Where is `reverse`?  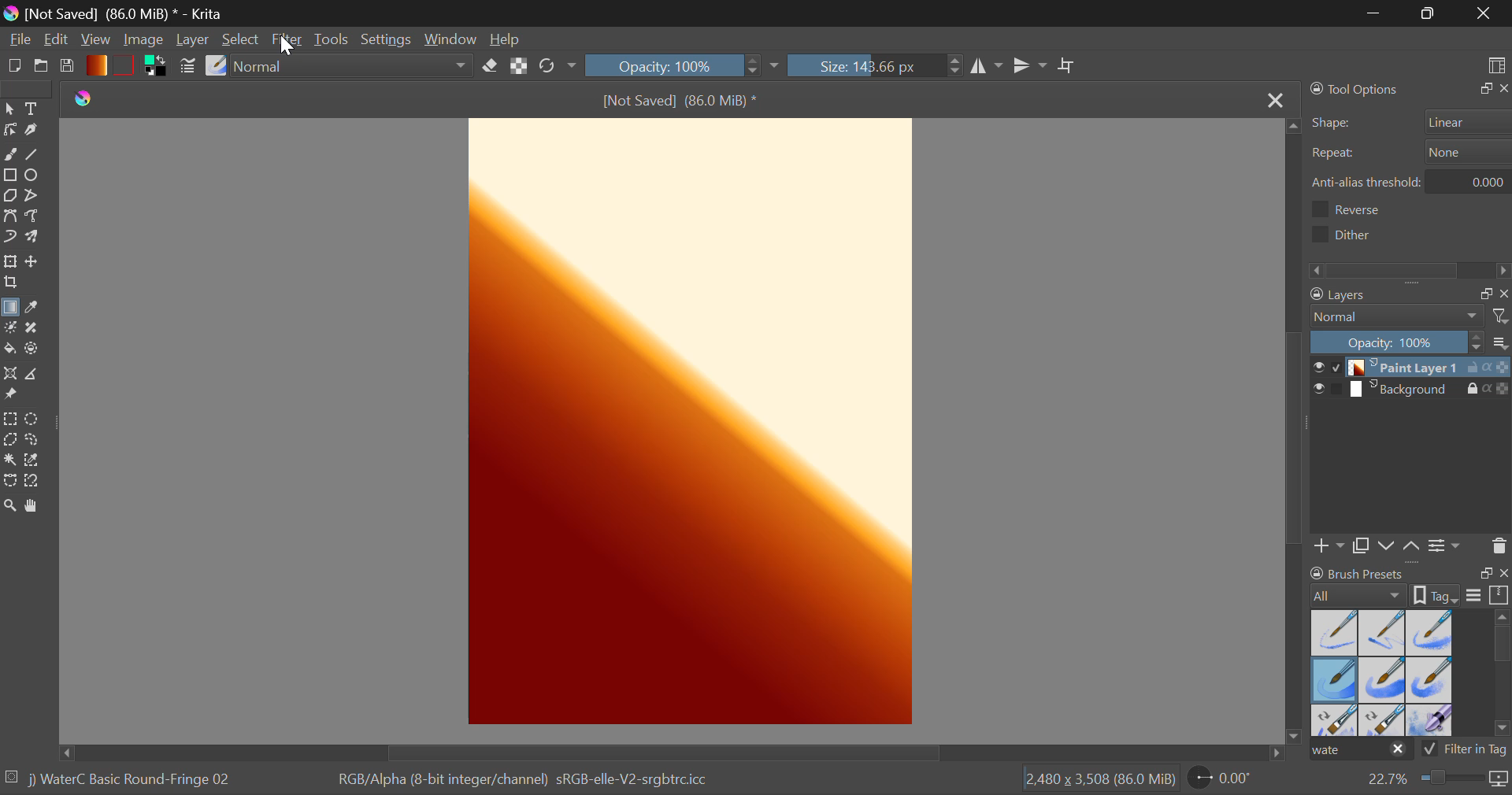
reverse is located at coordinates (1363, 209).